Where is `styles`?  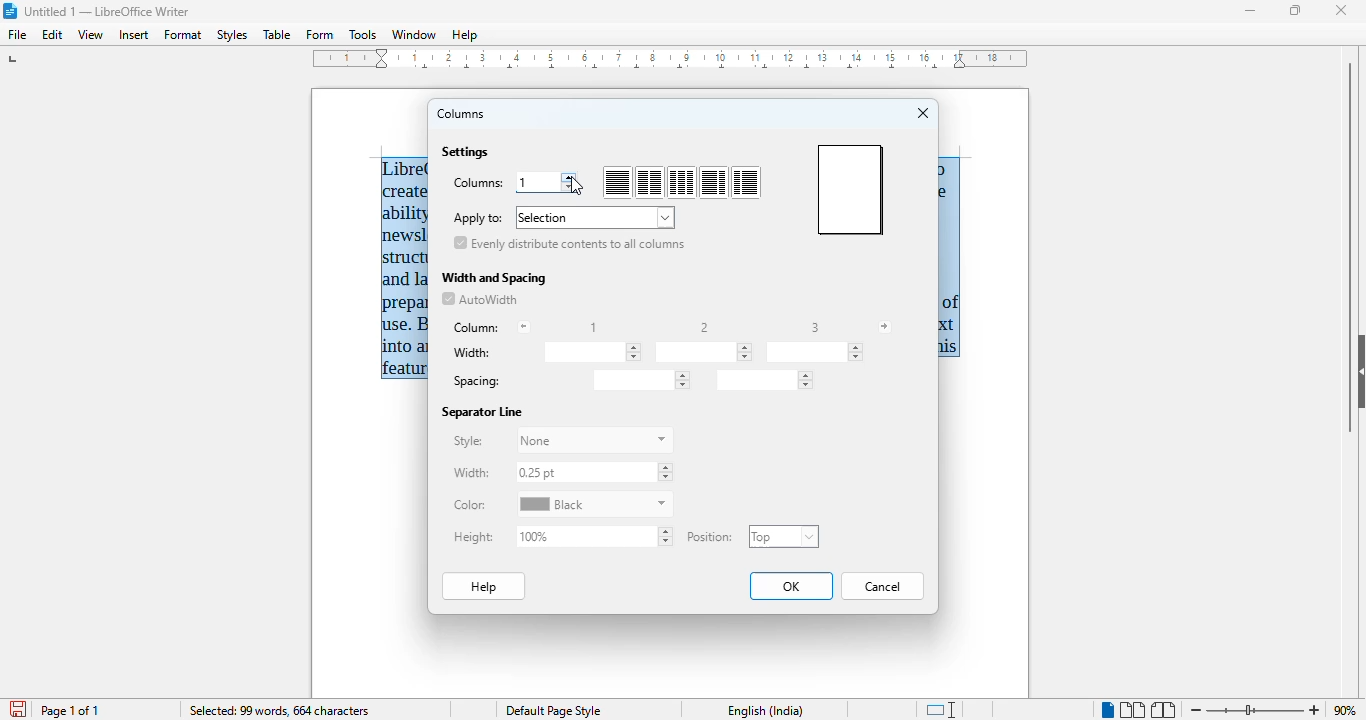 styles is located at coordinates (232, 35).